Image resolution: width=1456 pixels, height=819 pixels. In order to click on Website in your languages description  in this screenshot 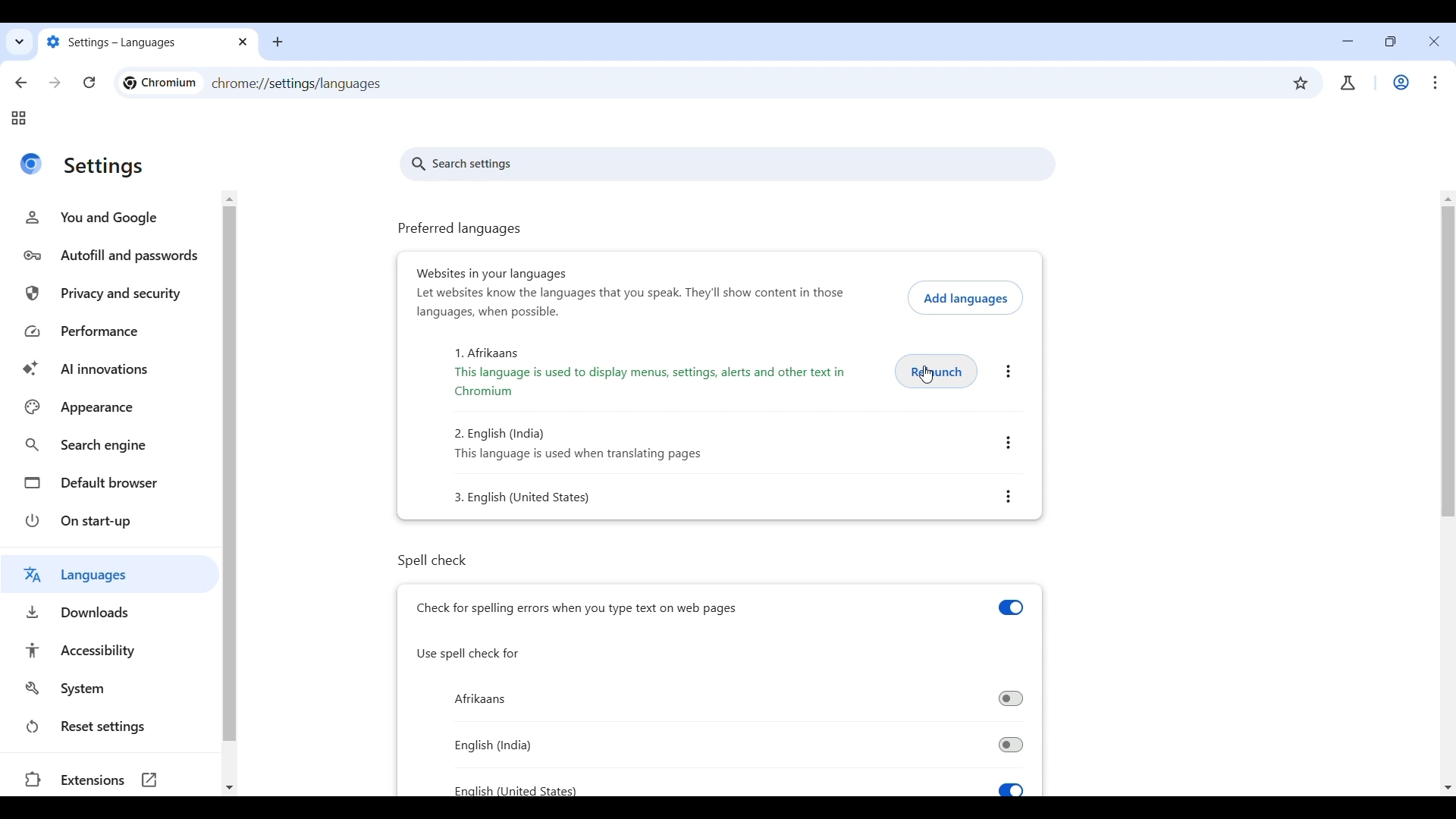, I will do `click(631, 302)`.